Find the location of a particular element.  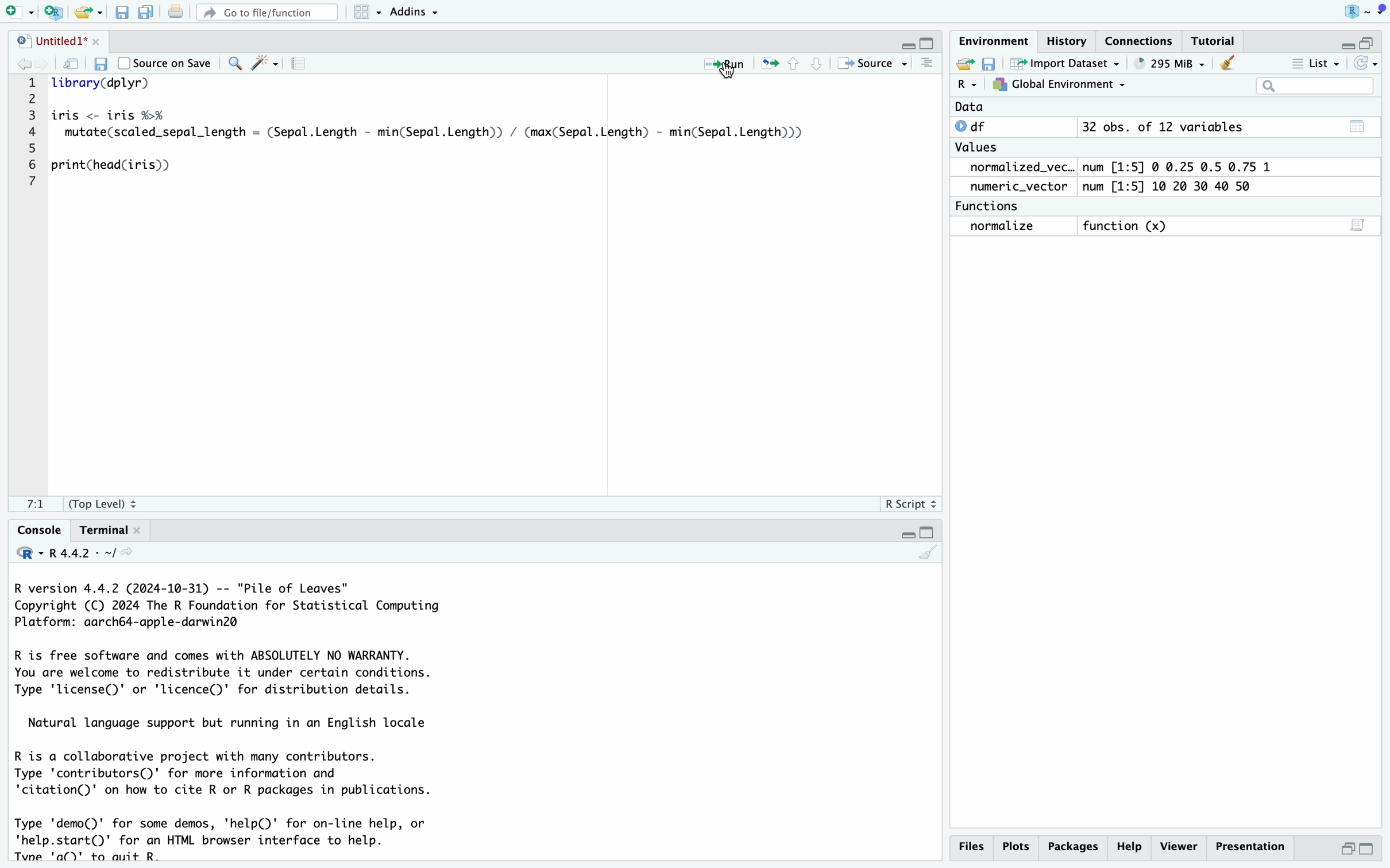

Go to file/function is located at coordinates (266, 11).